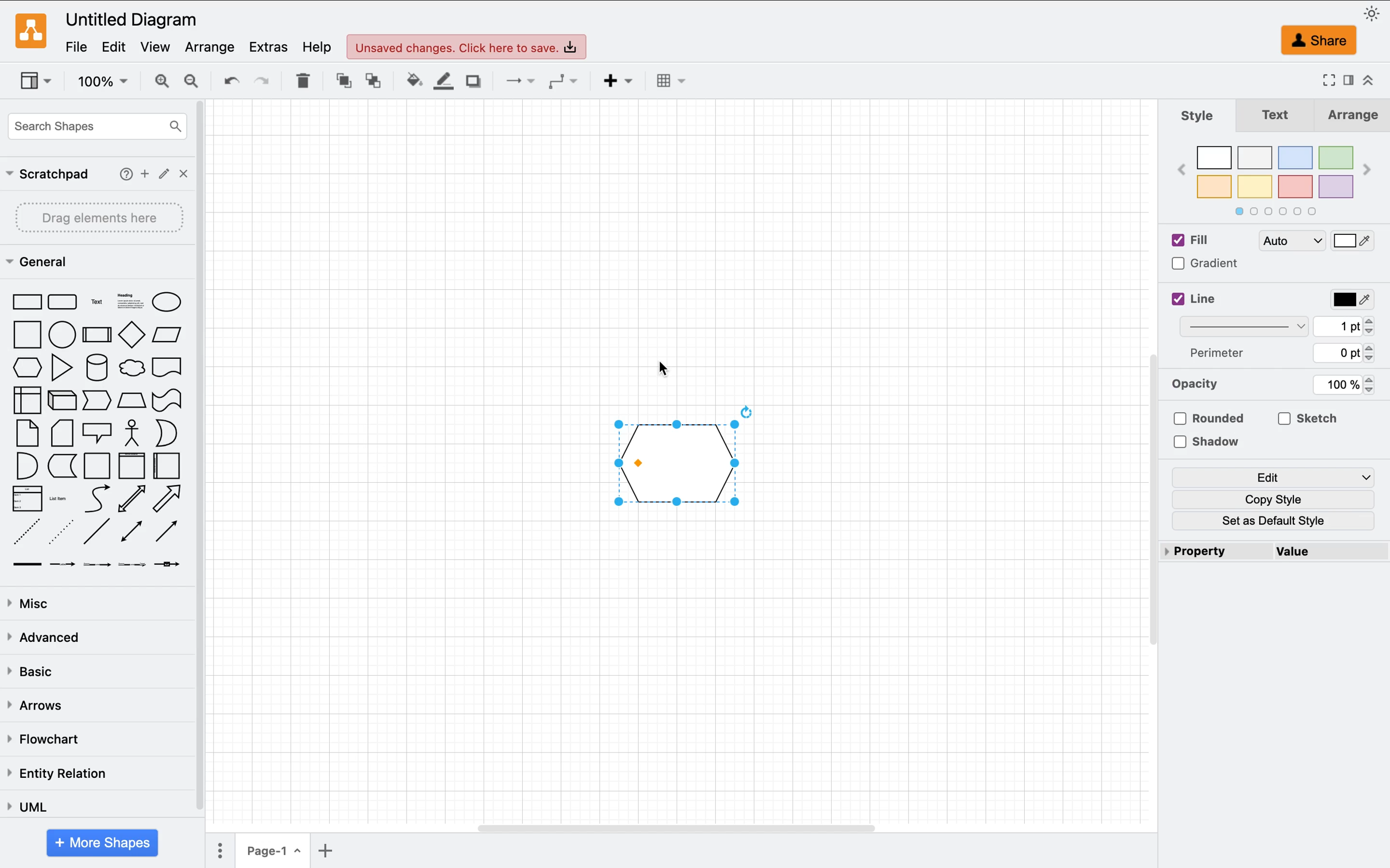 Image resolution: width=1390 pixels, height=868 pixels. I want to click on connector with 2 labels, so click(94, 567).